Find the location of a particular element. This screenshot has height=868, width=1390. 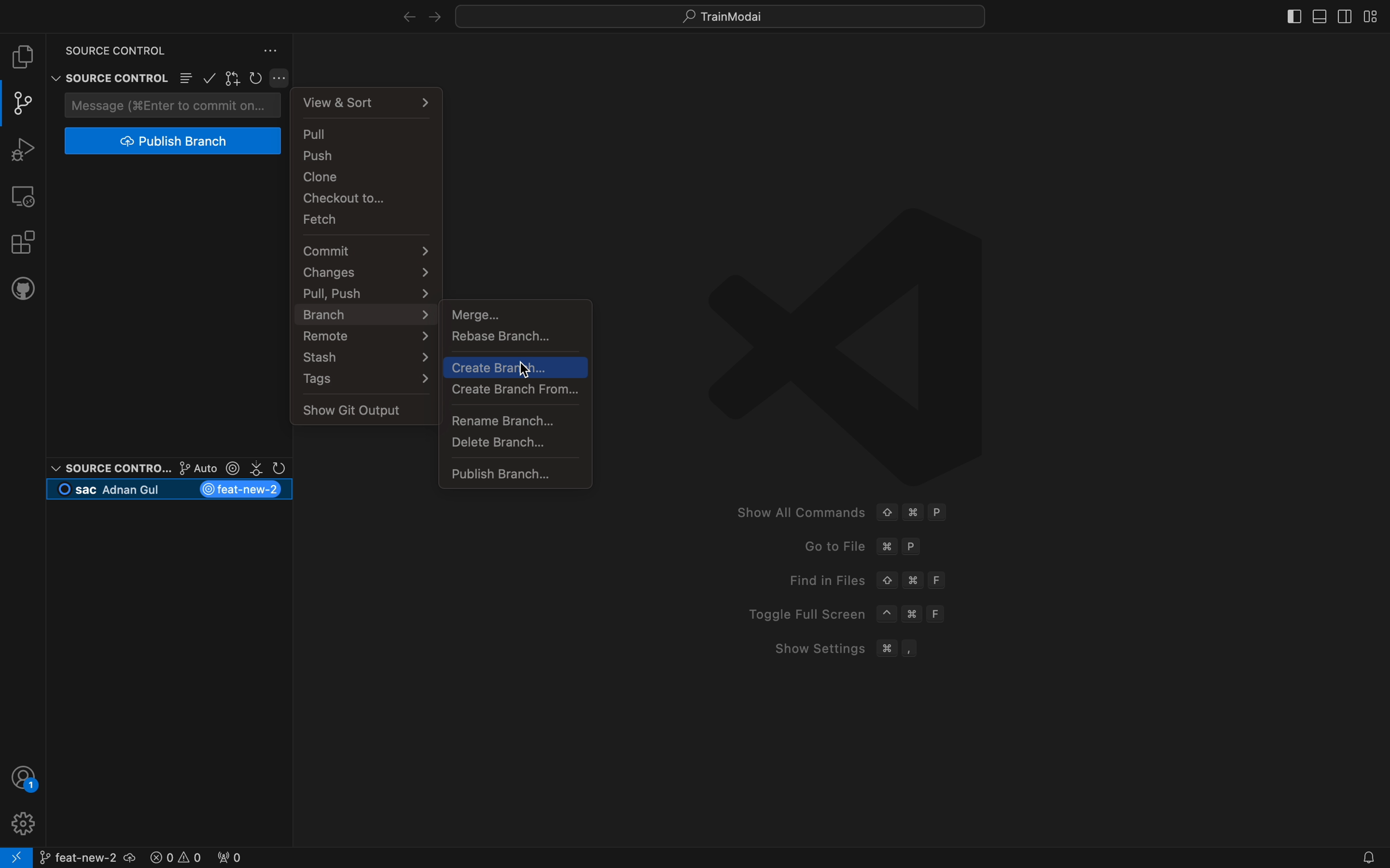

git is located at coordinates (25, 103).